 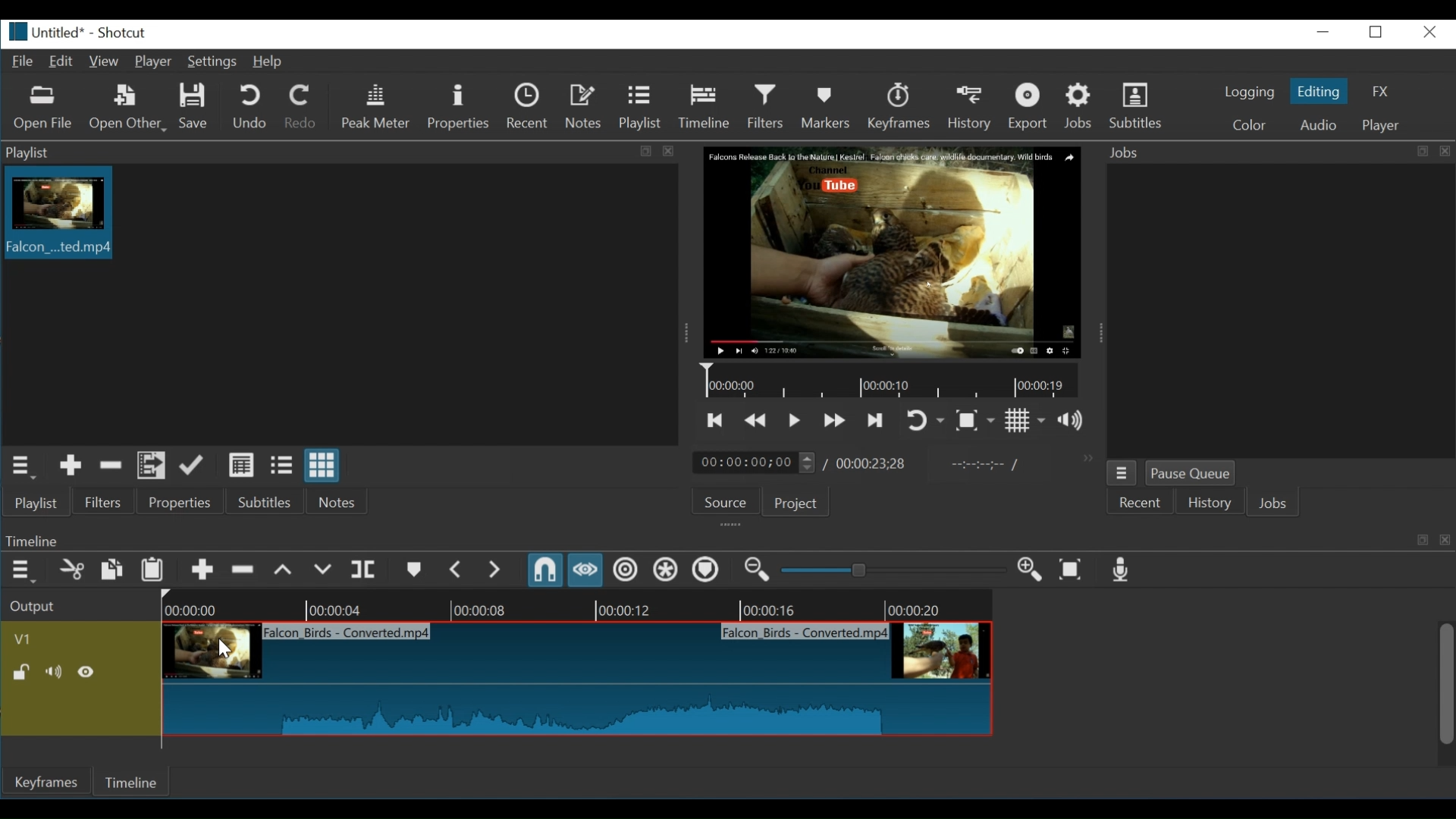 What do you see at coordinates (981, 466) in the screenshot?
I see `In oint` at bounding box center [981, 466].